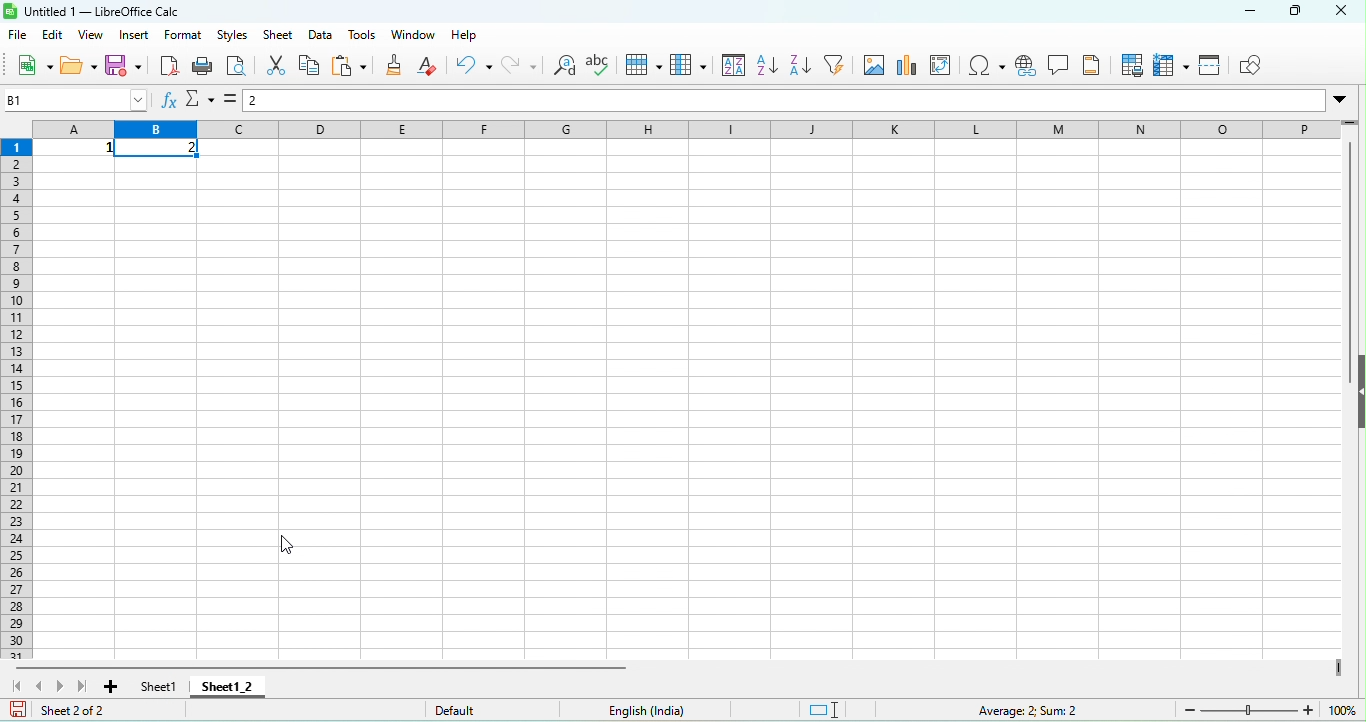  I want to click on data, so click(319, 33).